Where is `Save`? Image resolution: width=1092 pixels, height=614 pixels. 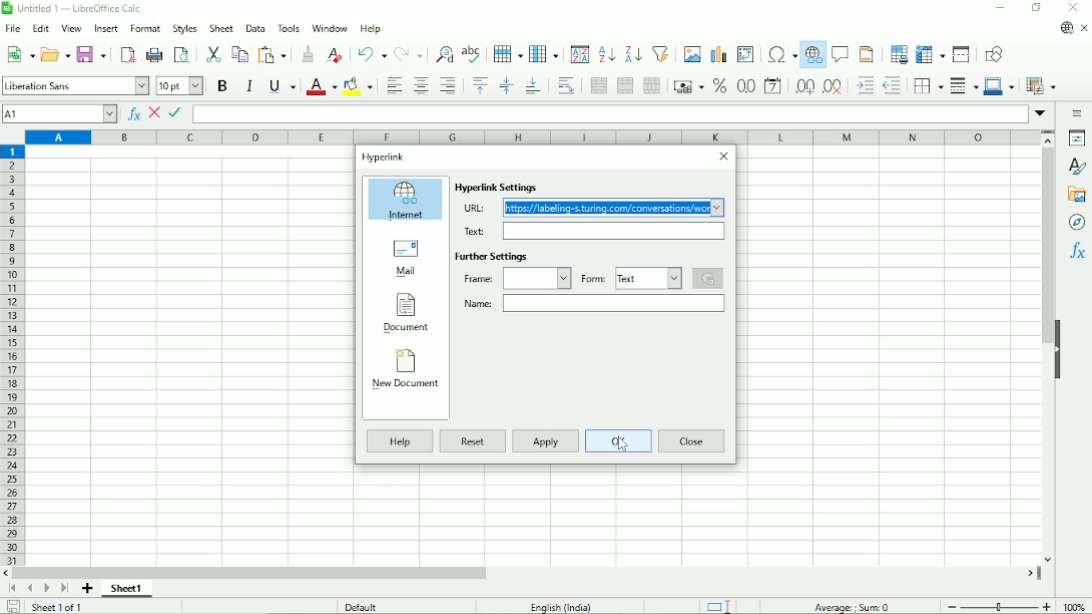
Save is located at coordinates (92, 53).